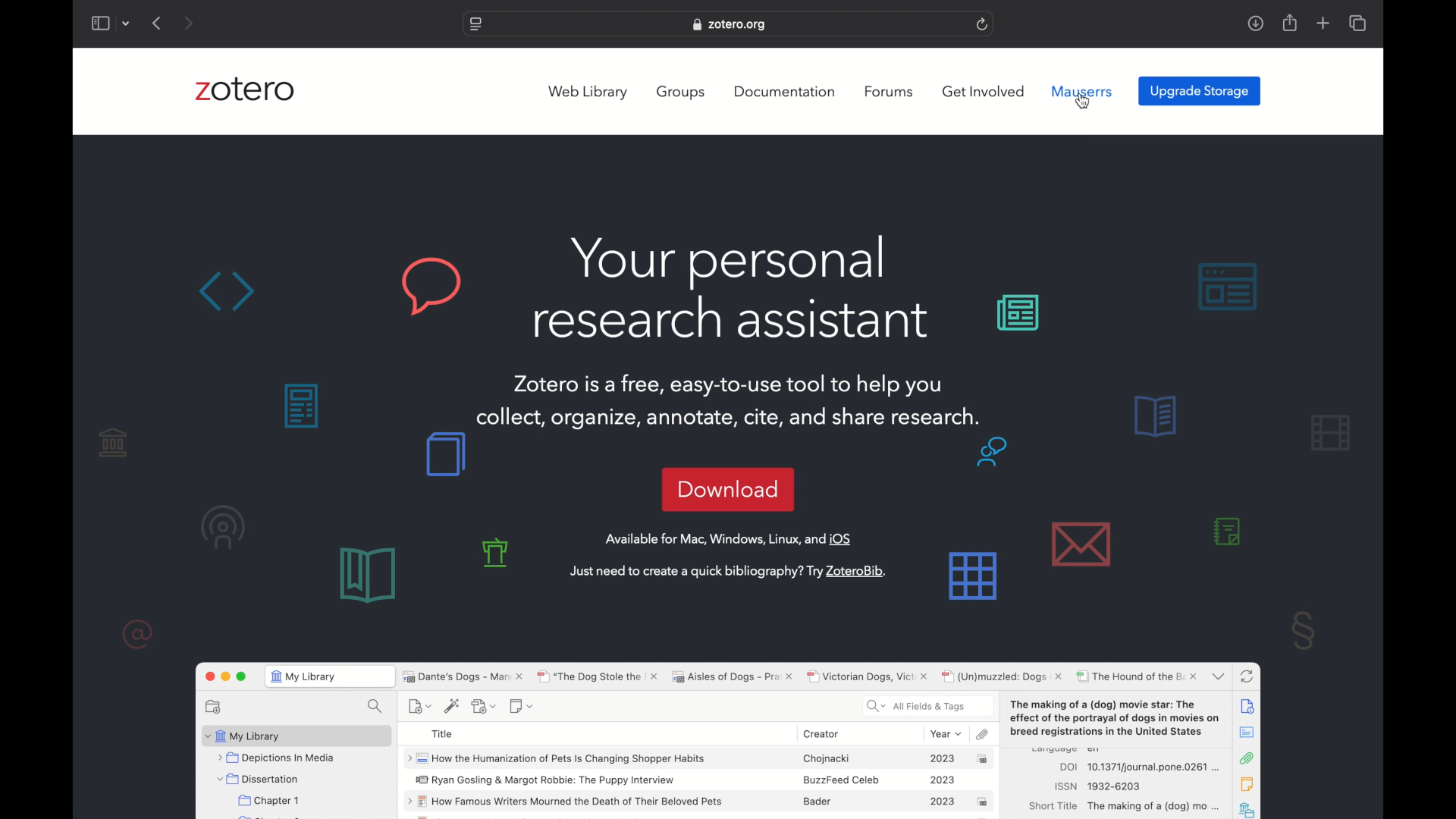 This screenshot has height=819, width=1456. Describe the element at coordinates (1255, 24) in the screenshot. I see `downloads` at that location.